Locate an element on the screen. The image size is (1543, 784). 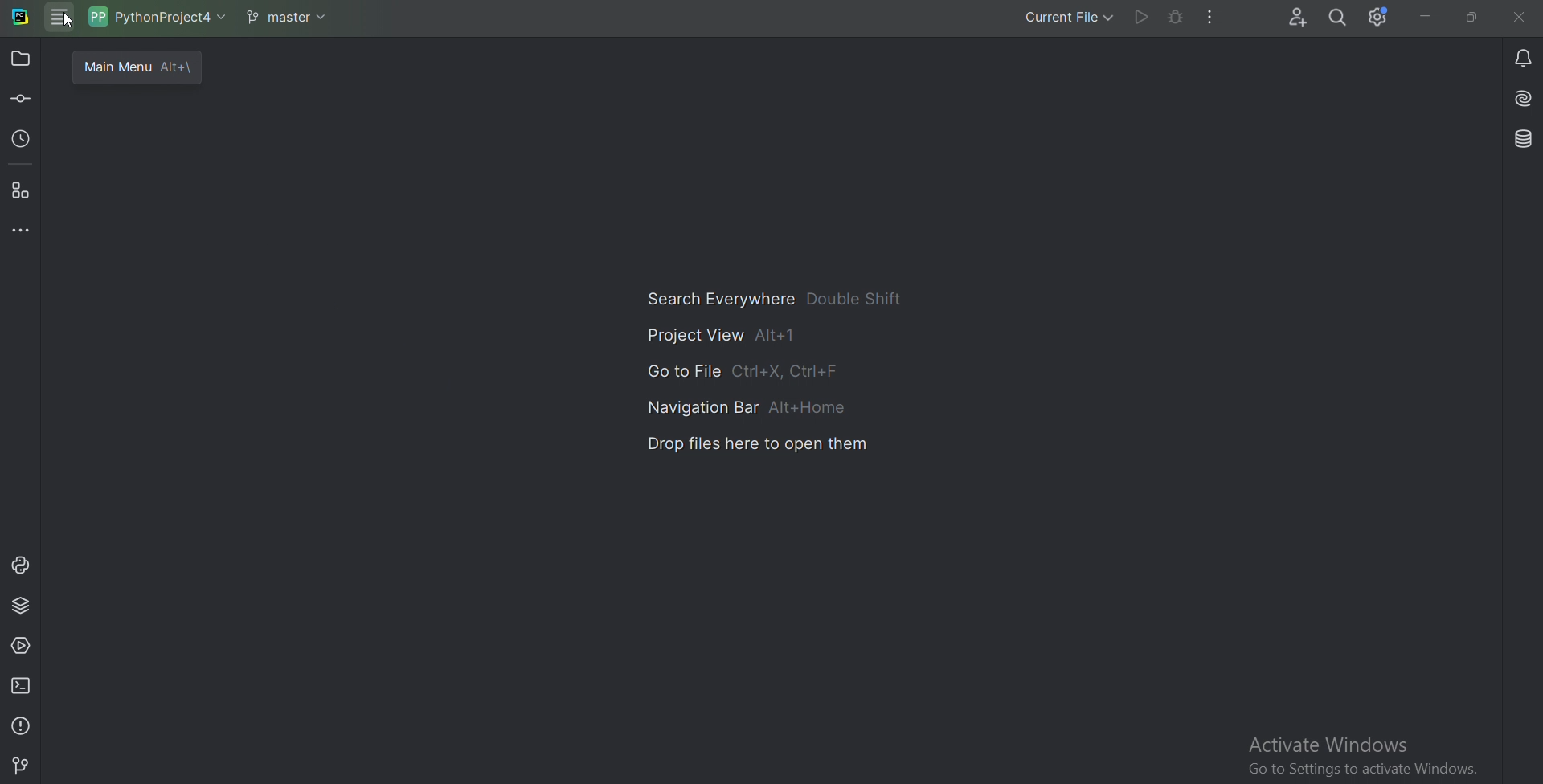
Windows information is located at coordinates (1361, 757).